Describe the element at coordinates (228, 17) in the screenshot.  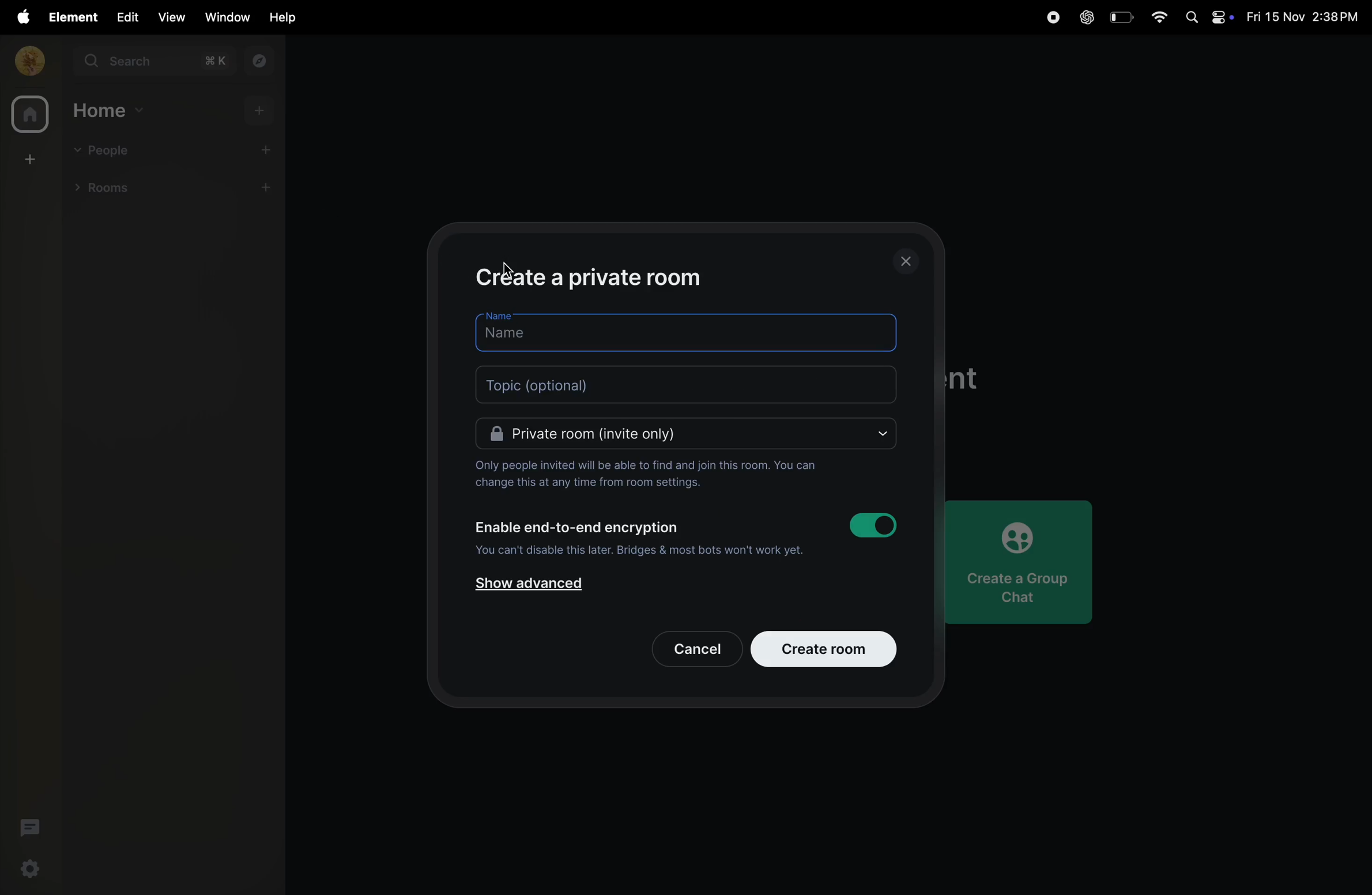
I see `window` at that location.